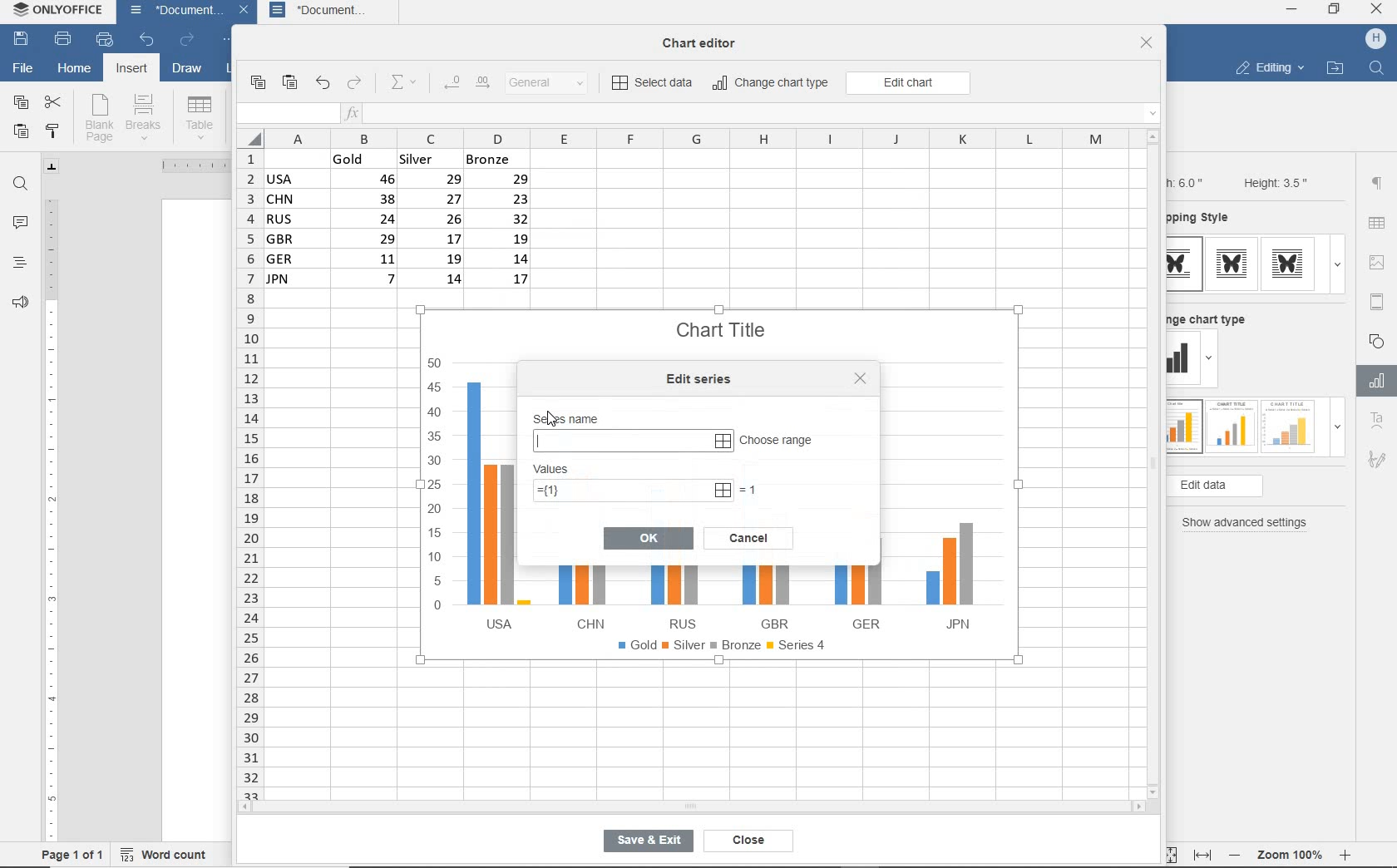 This screenshot has width=1397, height=868. What do you see at coordinates (751, 489) in the screenshot?
I see `=1` at bounding box center [751, 489].